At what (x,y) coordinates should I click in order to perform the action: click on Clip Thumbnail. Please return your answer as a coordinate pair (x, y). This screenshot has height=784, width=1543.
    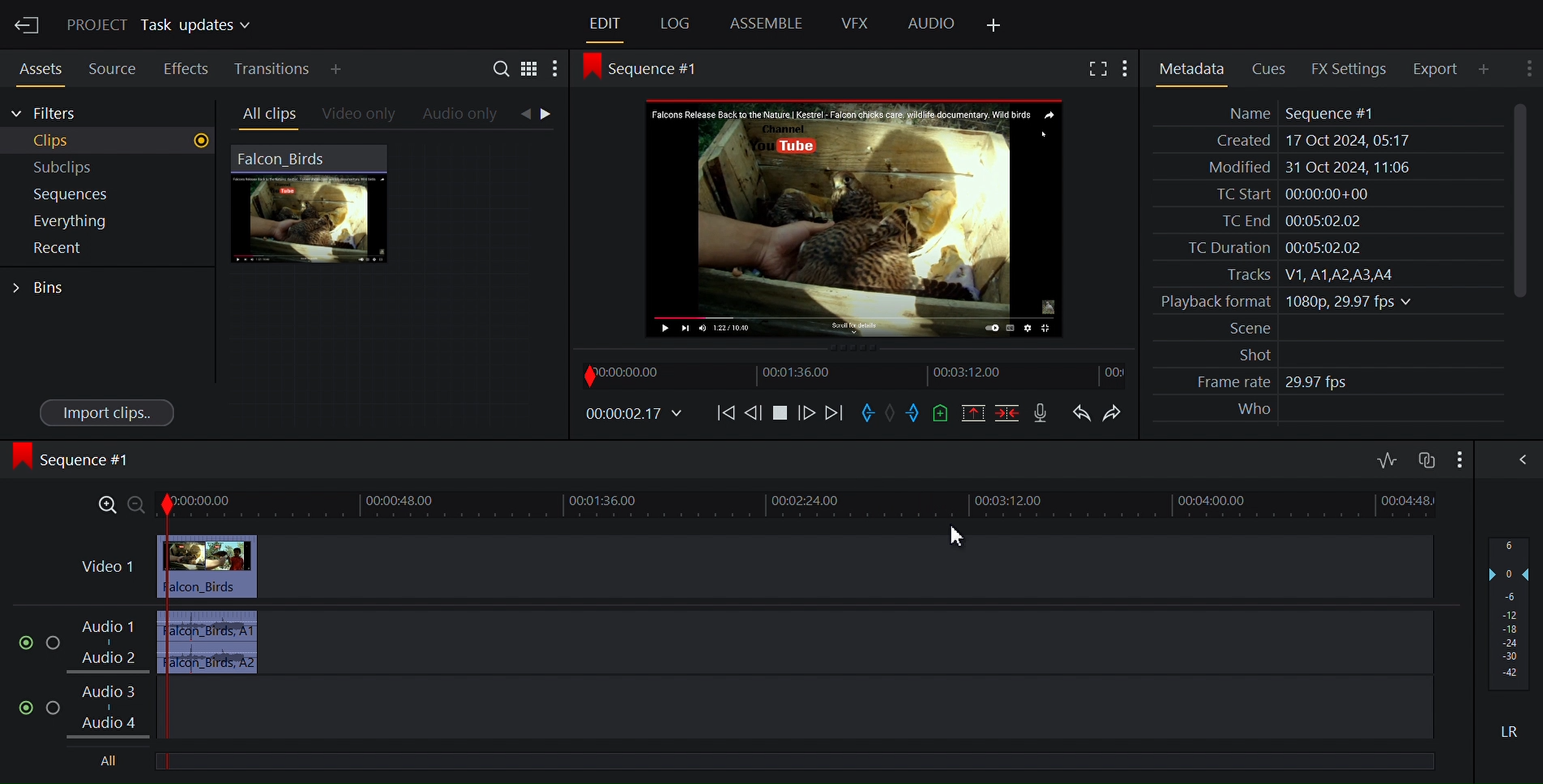
    Looking at the image, I should click on (395, 283).